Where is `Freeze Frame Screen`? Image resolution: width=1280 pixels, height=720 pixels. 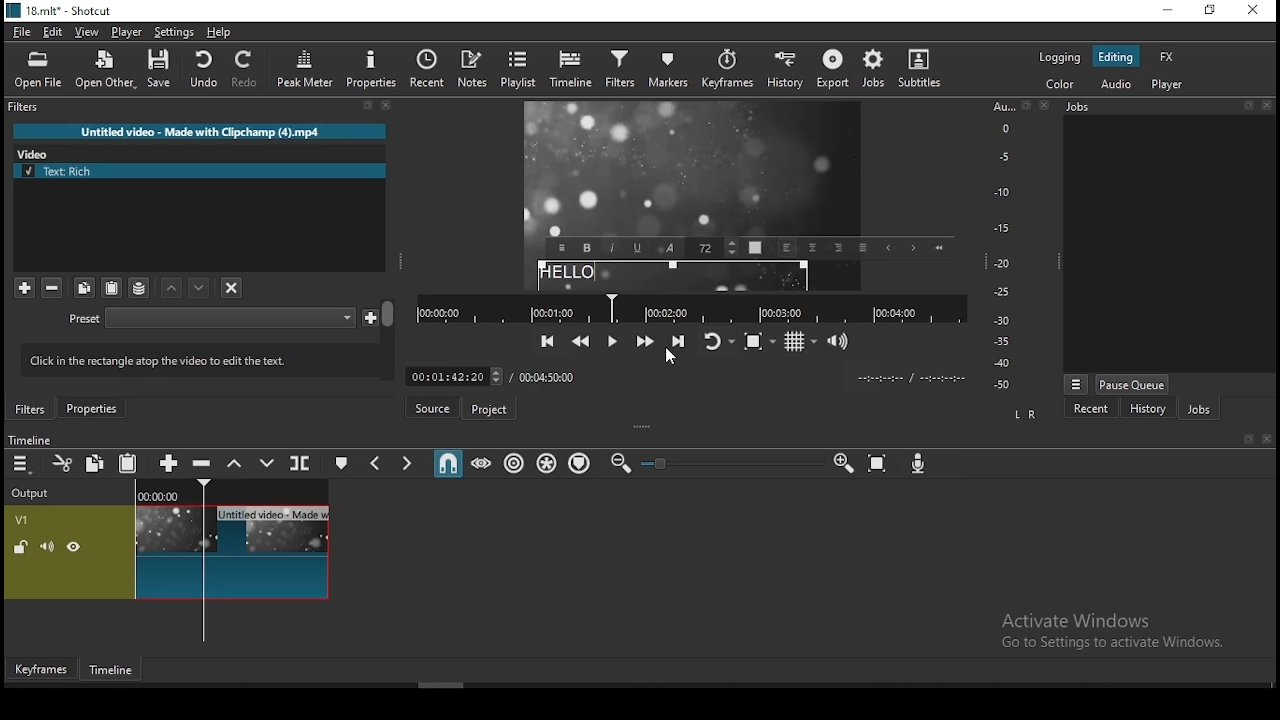 Freeze Frame Screen is located at coordinates (694, 169).